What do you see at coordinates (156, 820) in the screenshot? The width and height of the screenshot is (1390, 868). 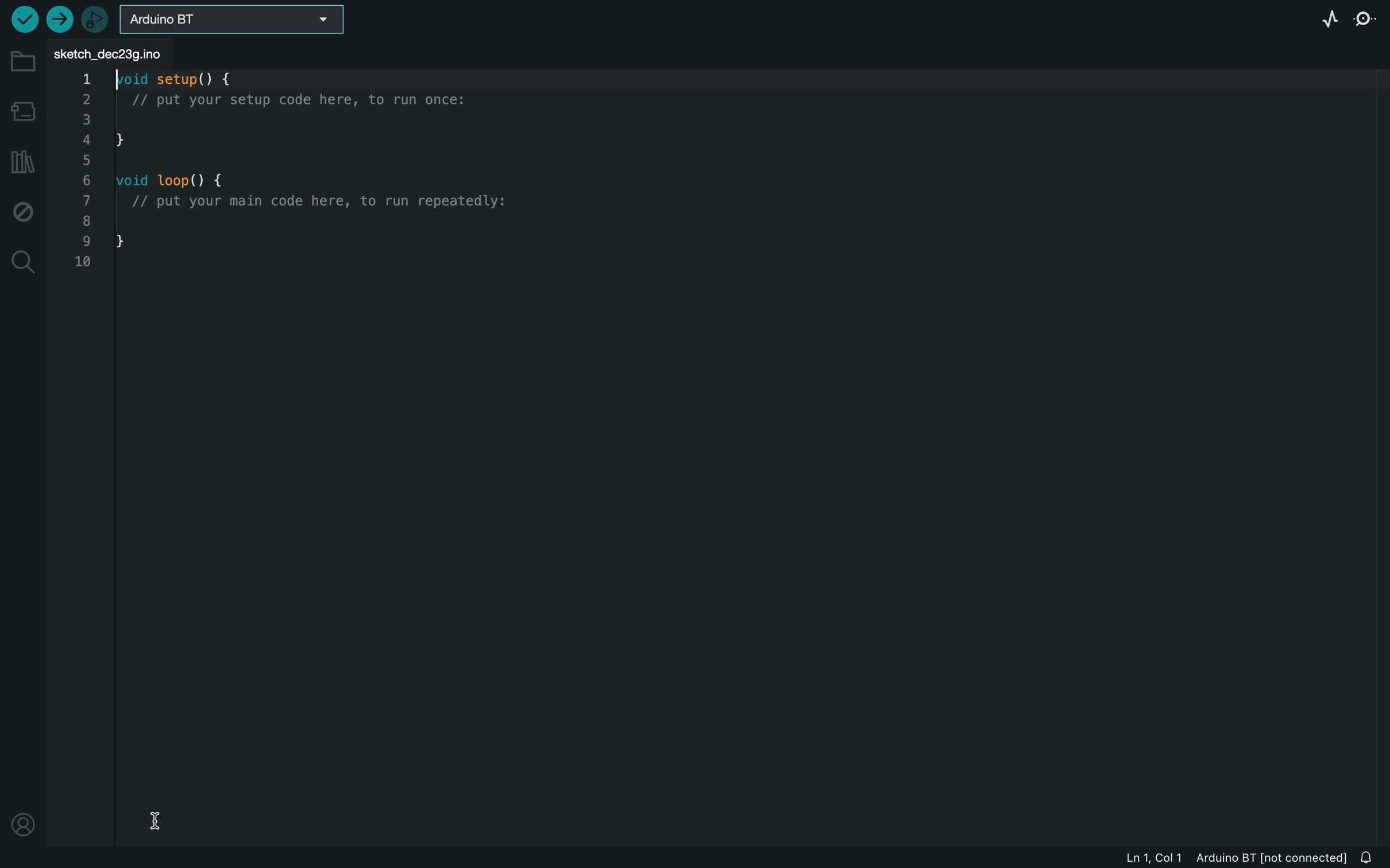 I see `cursor` at bounding box center [156, 820].